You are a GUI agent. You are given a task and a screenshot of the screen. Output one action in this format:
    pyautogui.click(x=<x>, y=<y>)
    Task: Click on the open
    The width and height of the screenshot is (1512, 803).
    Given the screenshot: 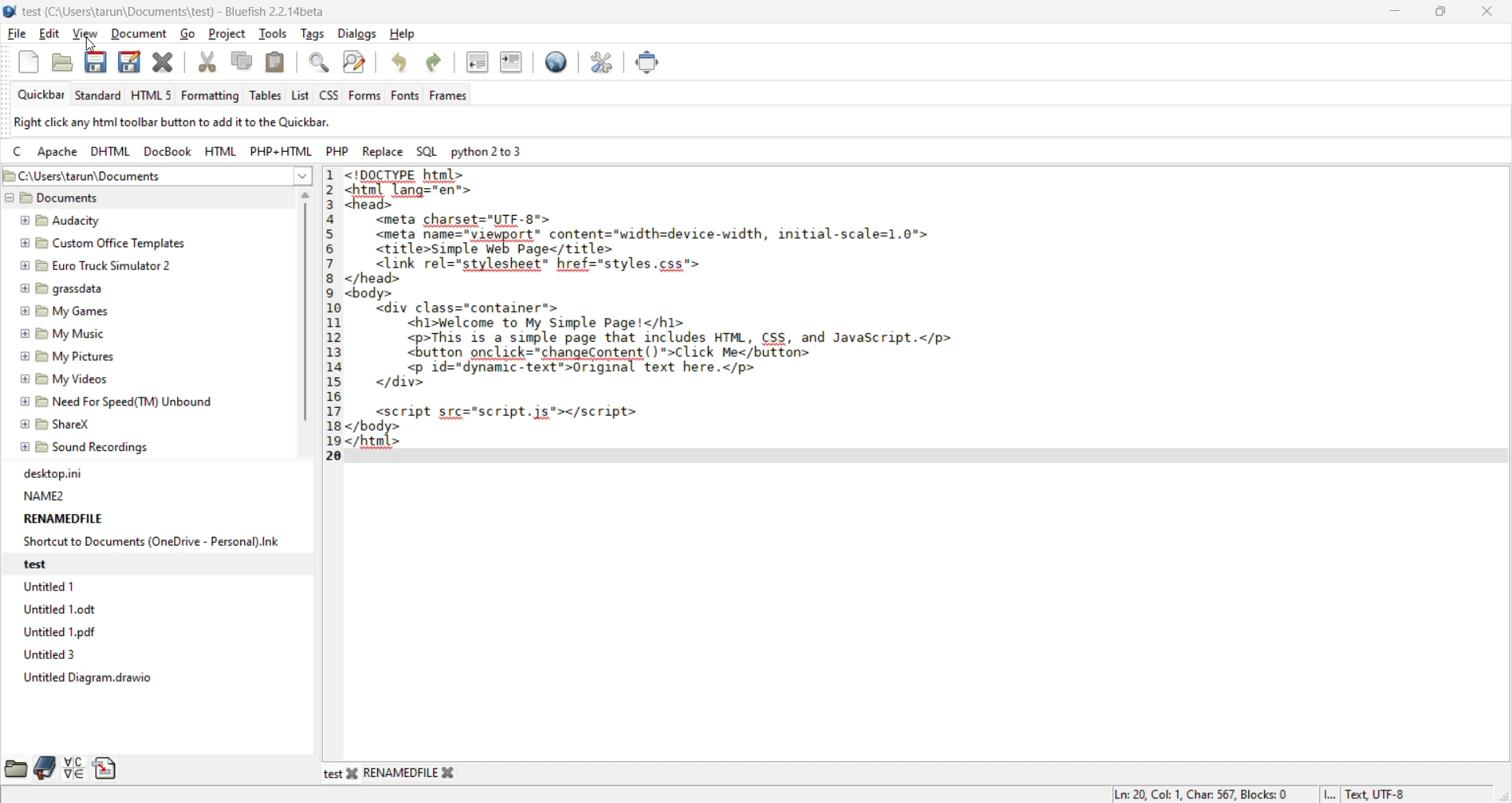 What is the action you would take?
    pyautogui.click(x=65, y=61)
    